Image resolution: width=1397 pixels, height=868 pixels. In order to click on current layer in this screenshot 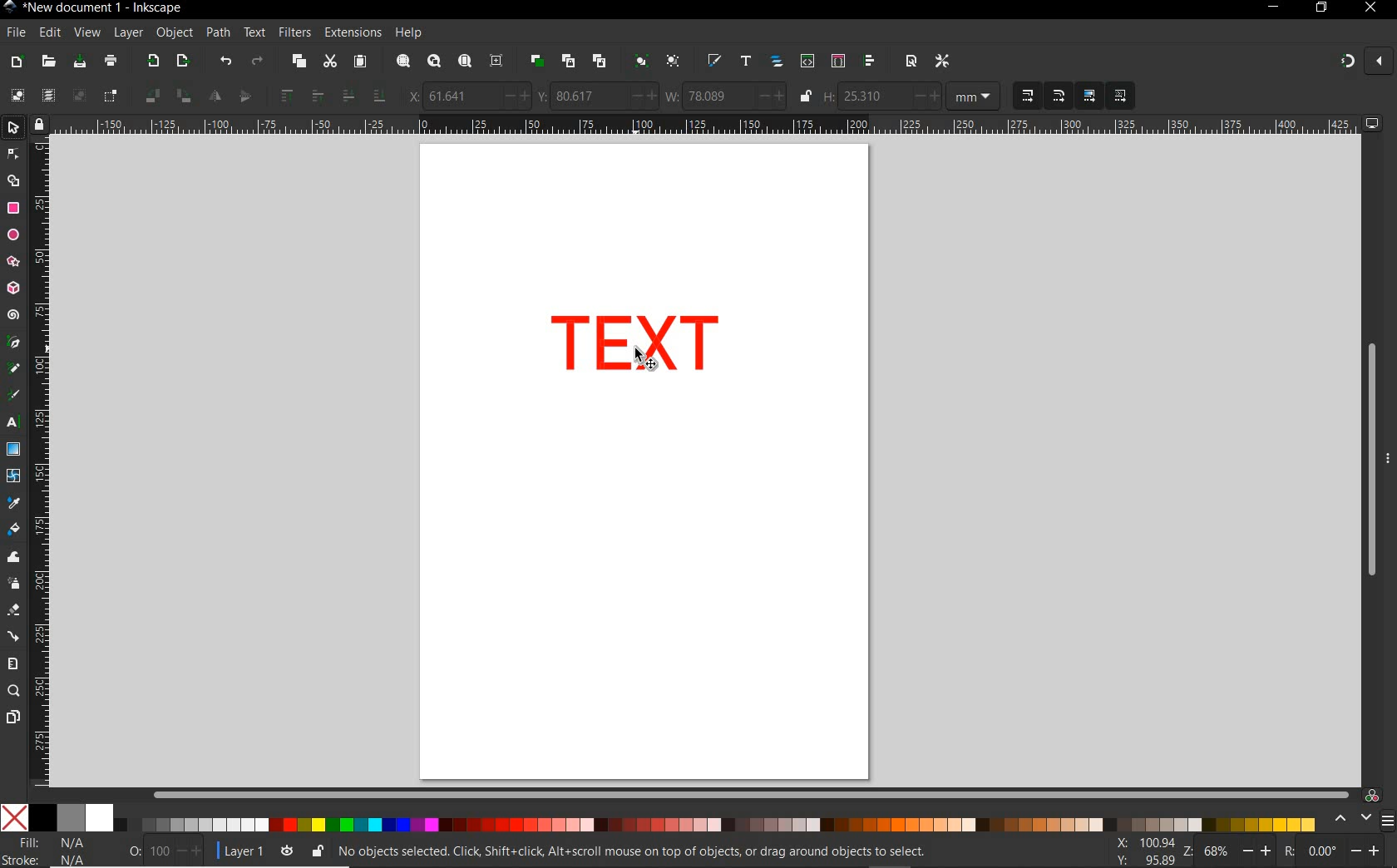, I will do `click(236, 849)`.